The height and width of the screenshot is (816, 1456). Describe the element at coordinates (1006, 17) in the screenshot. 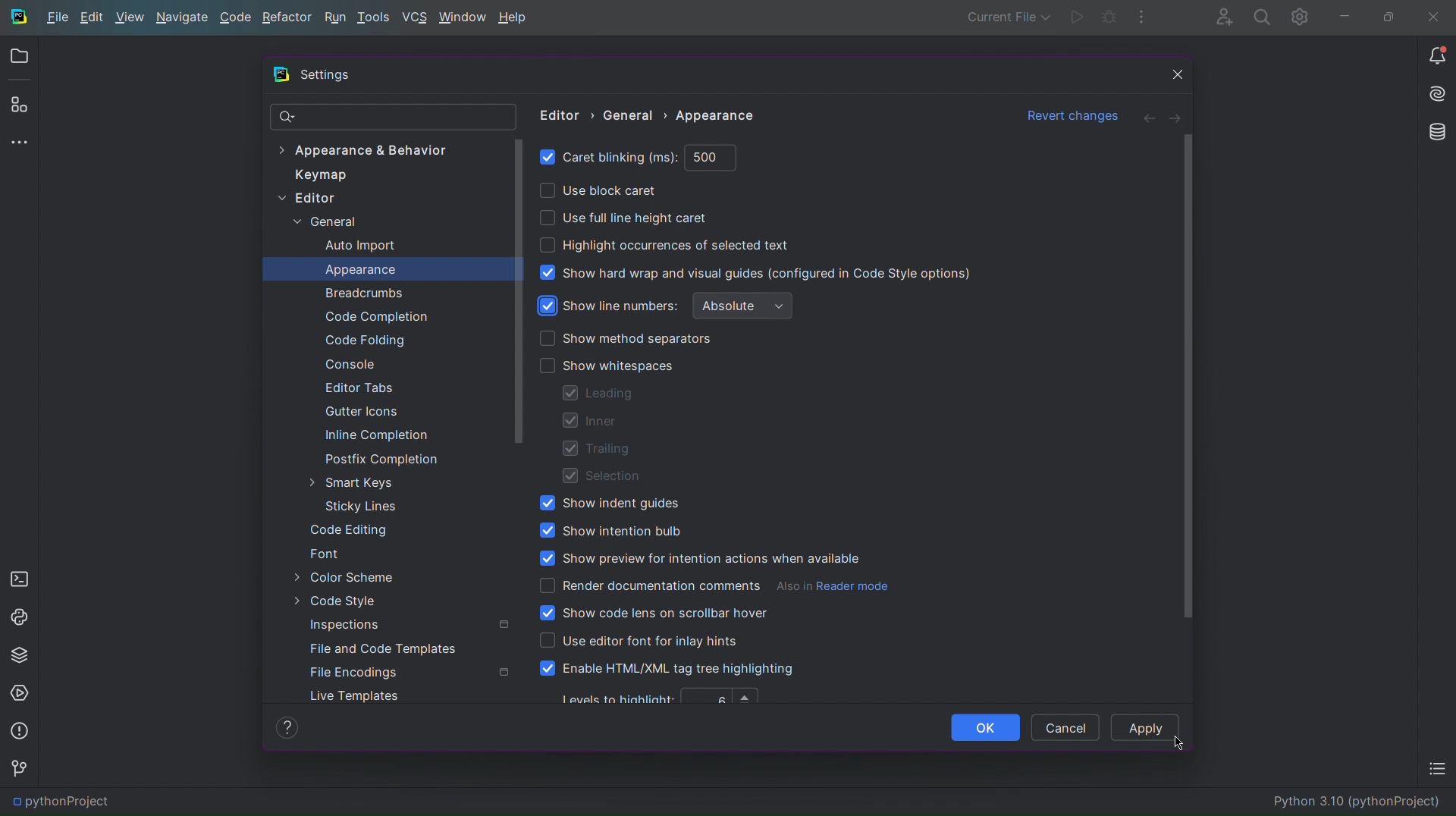

I see `Current File` at that location.